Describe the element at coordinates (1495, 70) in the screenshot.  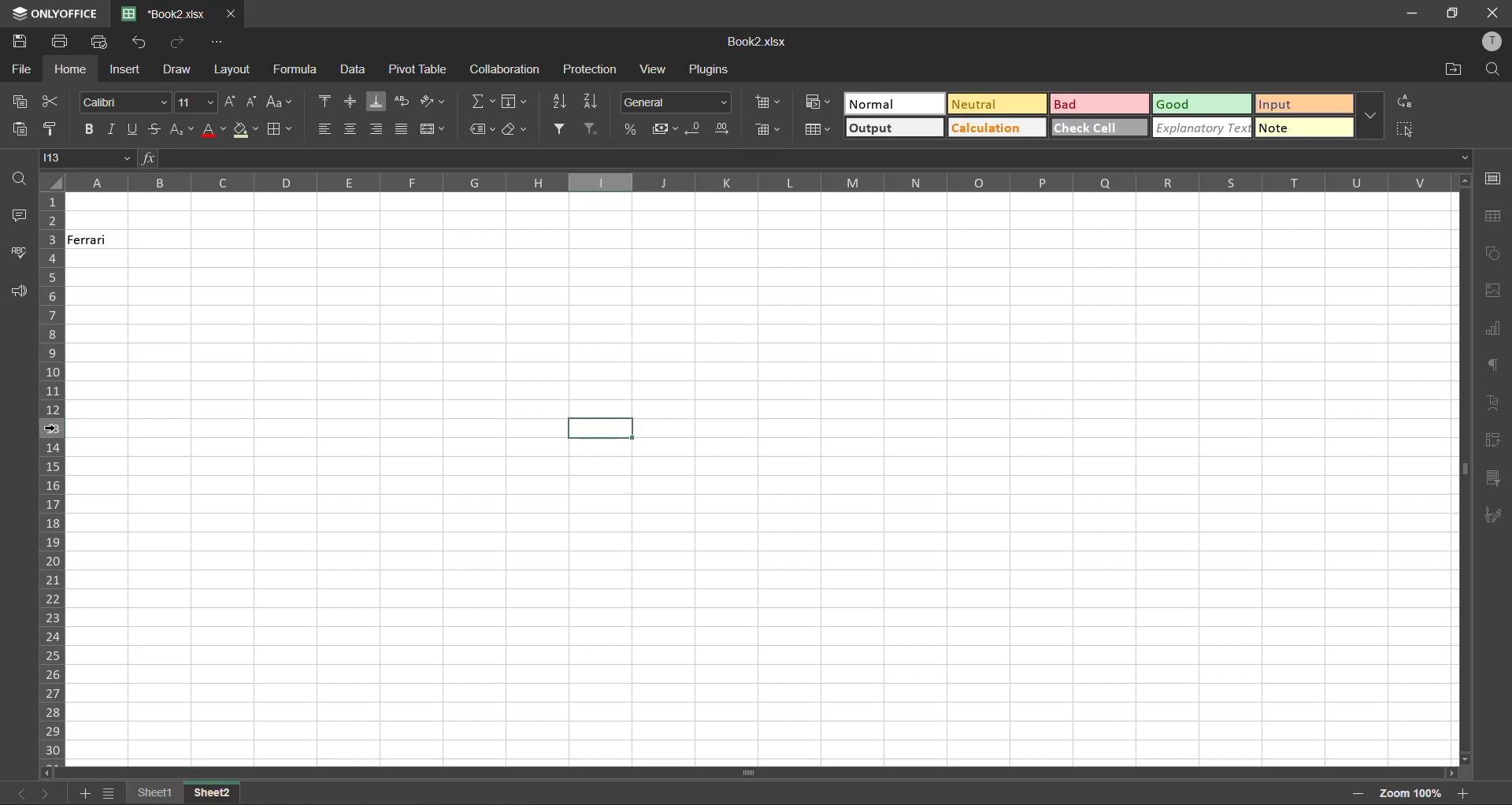
I see `find` at that location.